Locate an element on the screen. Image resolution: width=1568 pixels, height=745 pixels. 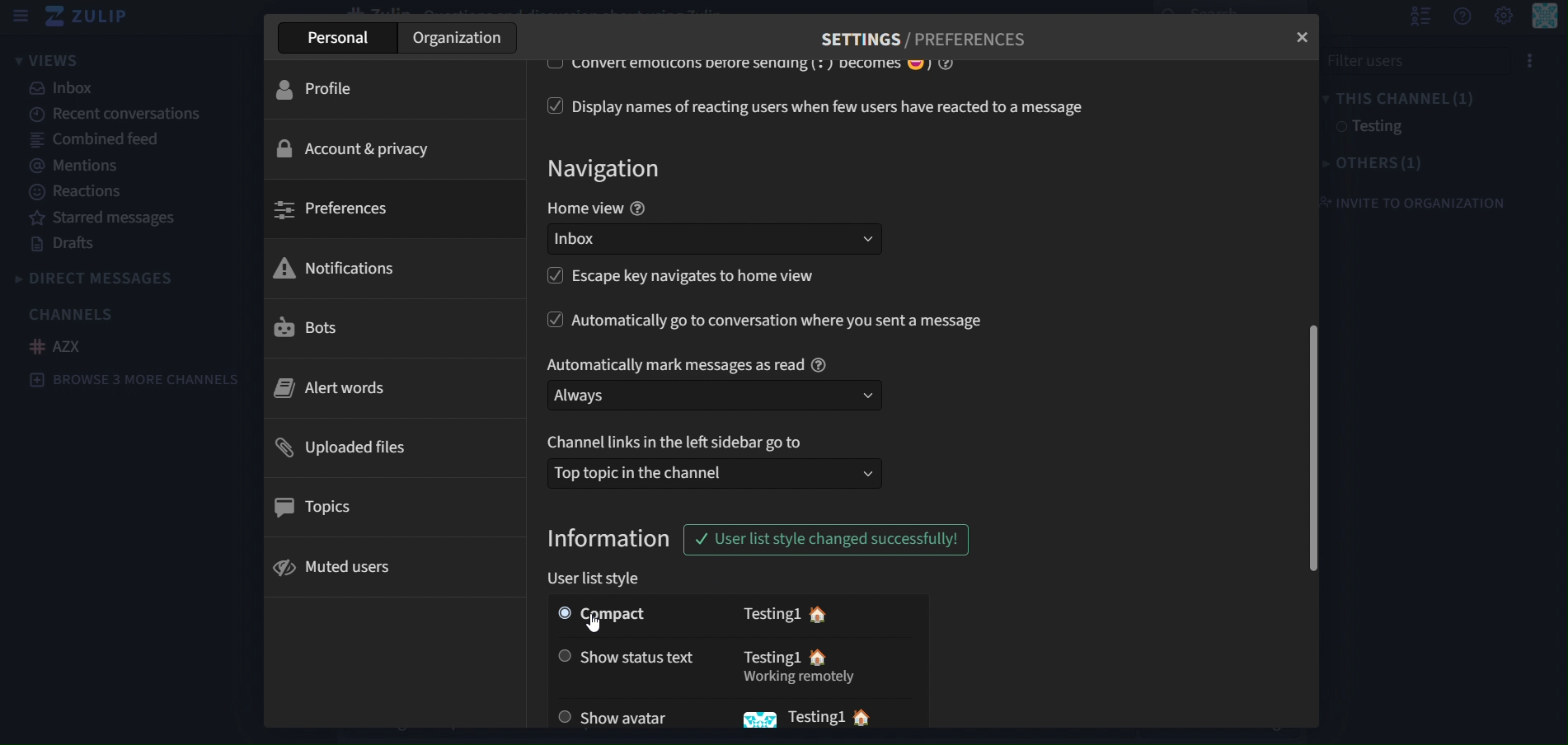
recent conversations is located at coordinates (120, 114).